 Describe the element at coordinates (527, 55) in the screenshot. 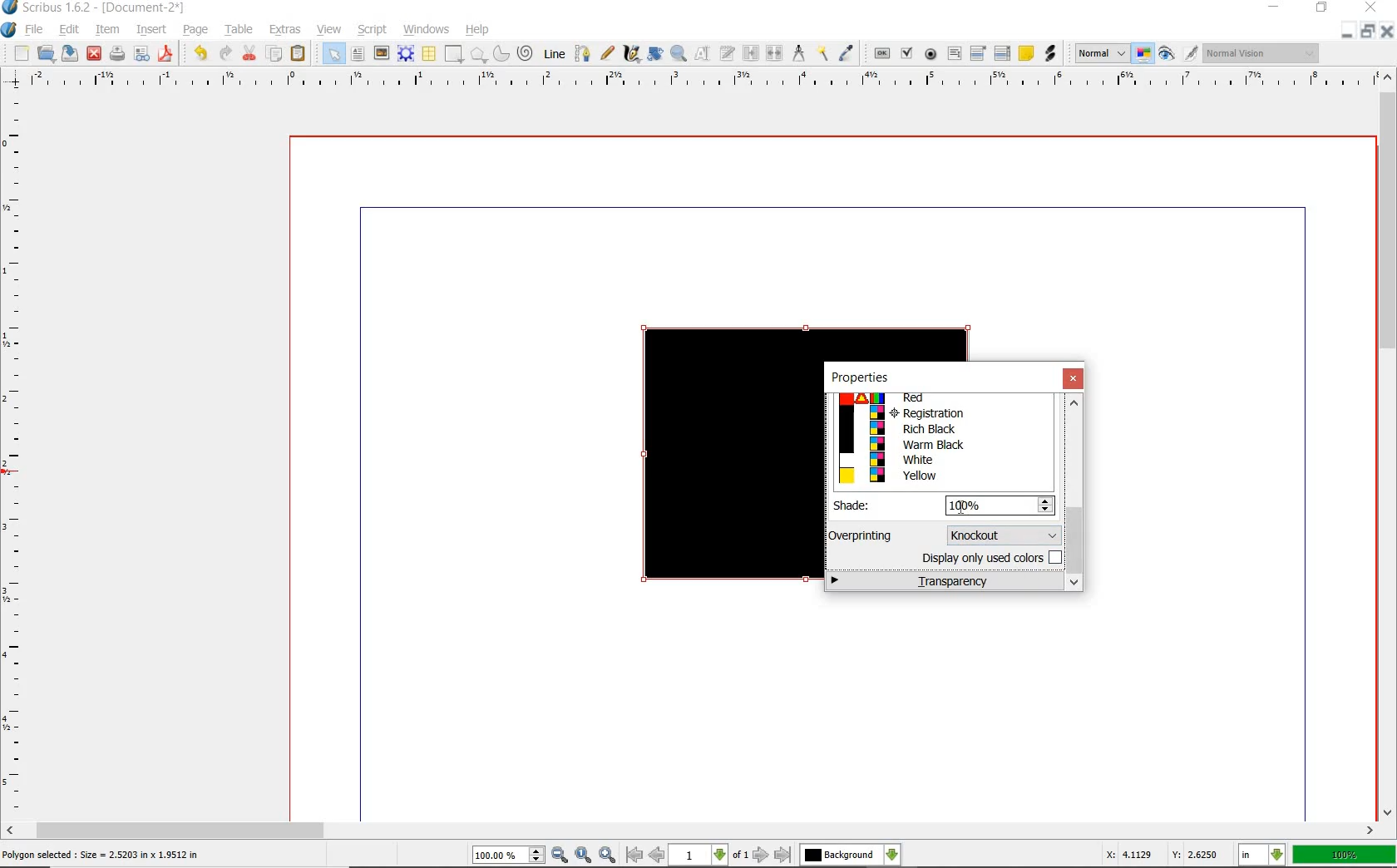

I see `spiral` at that location.